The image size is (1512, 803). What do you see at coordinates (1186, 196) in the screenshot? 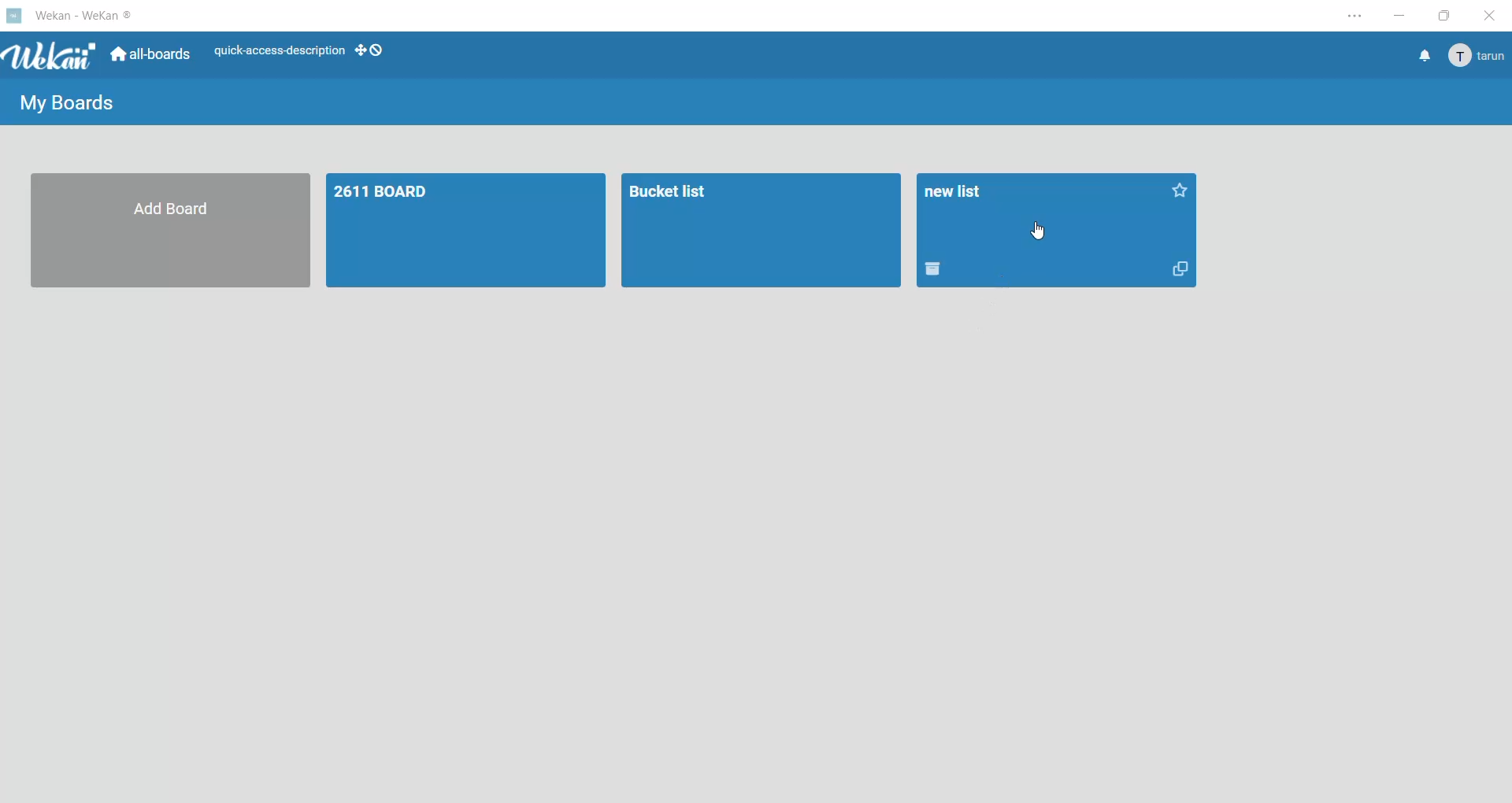
I see `star board` at bounding box center [1186, 196].